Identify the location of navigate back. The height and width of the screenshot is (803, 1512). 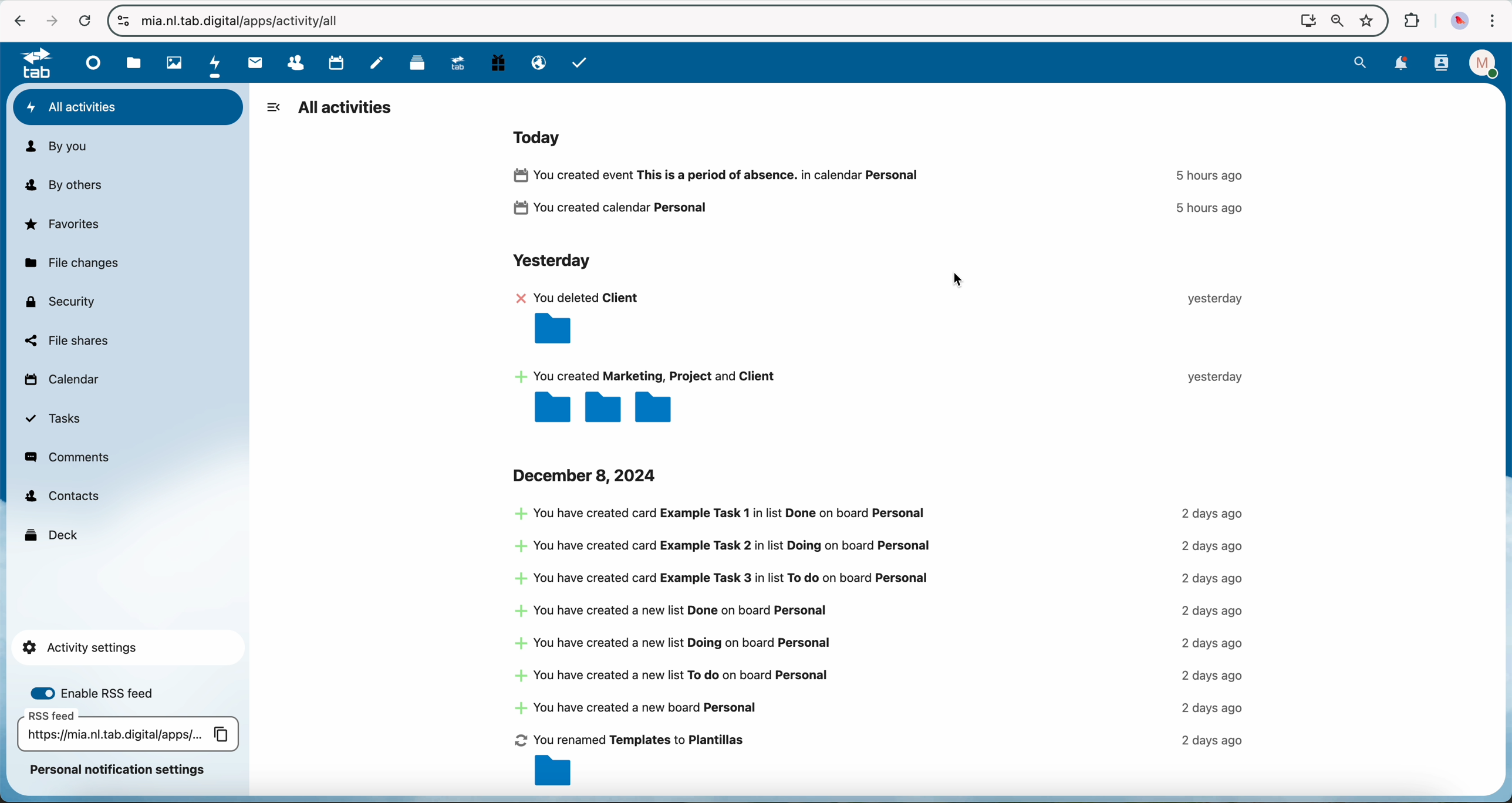
(14, 21).